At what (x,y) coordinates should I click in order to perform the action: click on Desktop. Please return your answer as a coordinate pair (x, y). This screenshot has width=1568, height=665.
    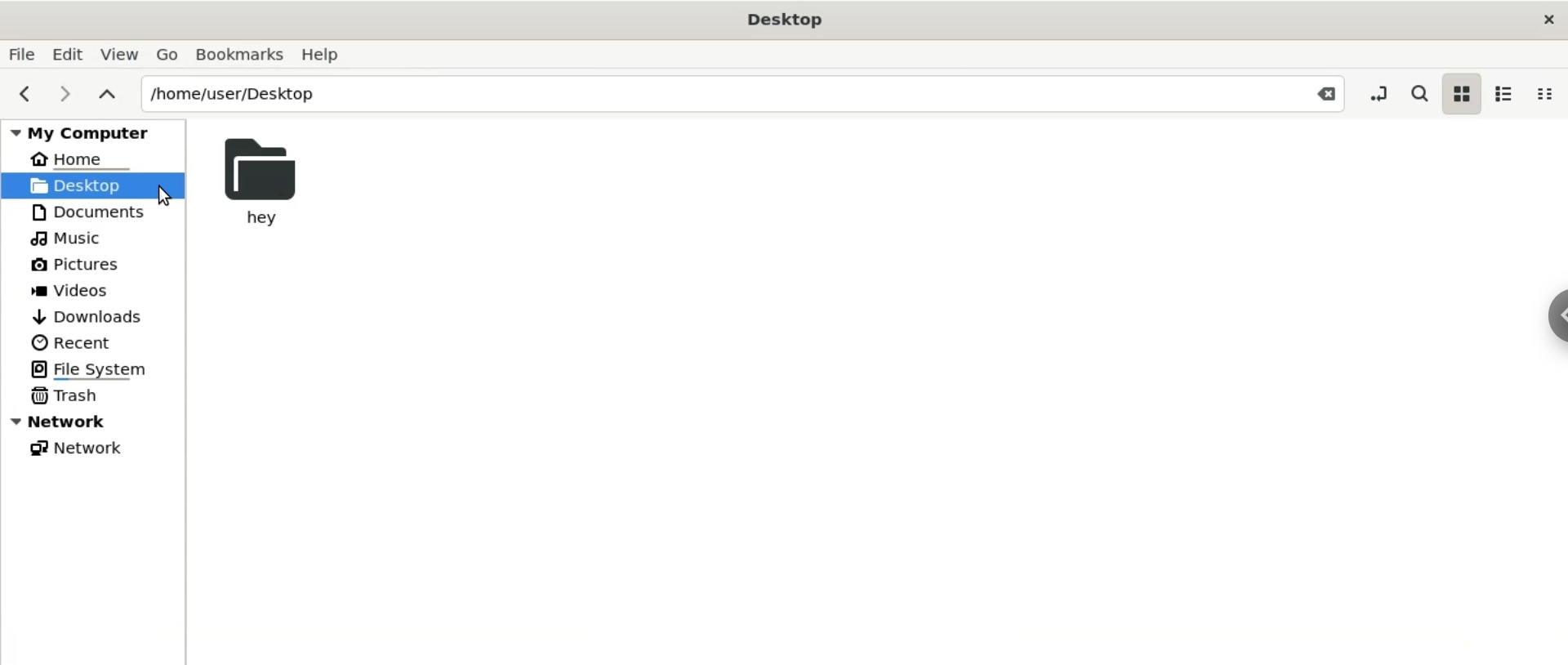
    Looking at the image, I should click on (787, 19).